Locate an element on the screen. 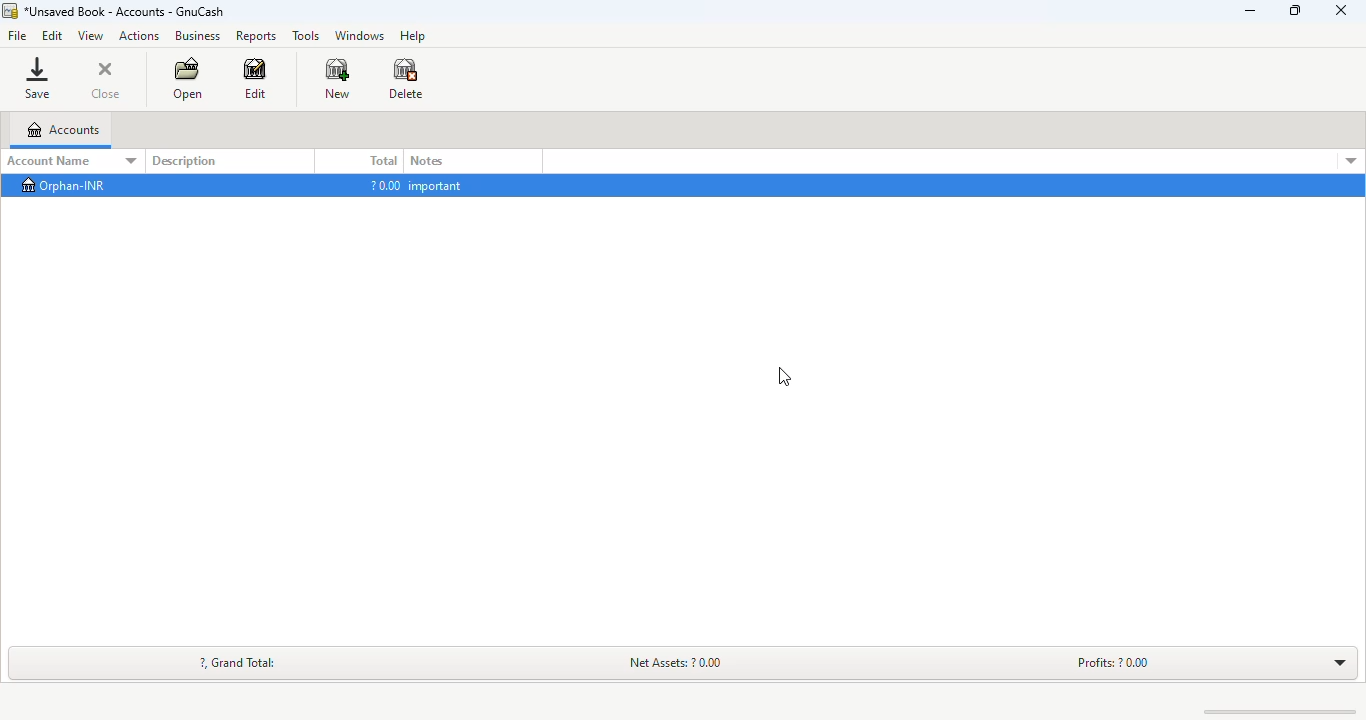  ?0.00 is located at coordinates (386, 184).